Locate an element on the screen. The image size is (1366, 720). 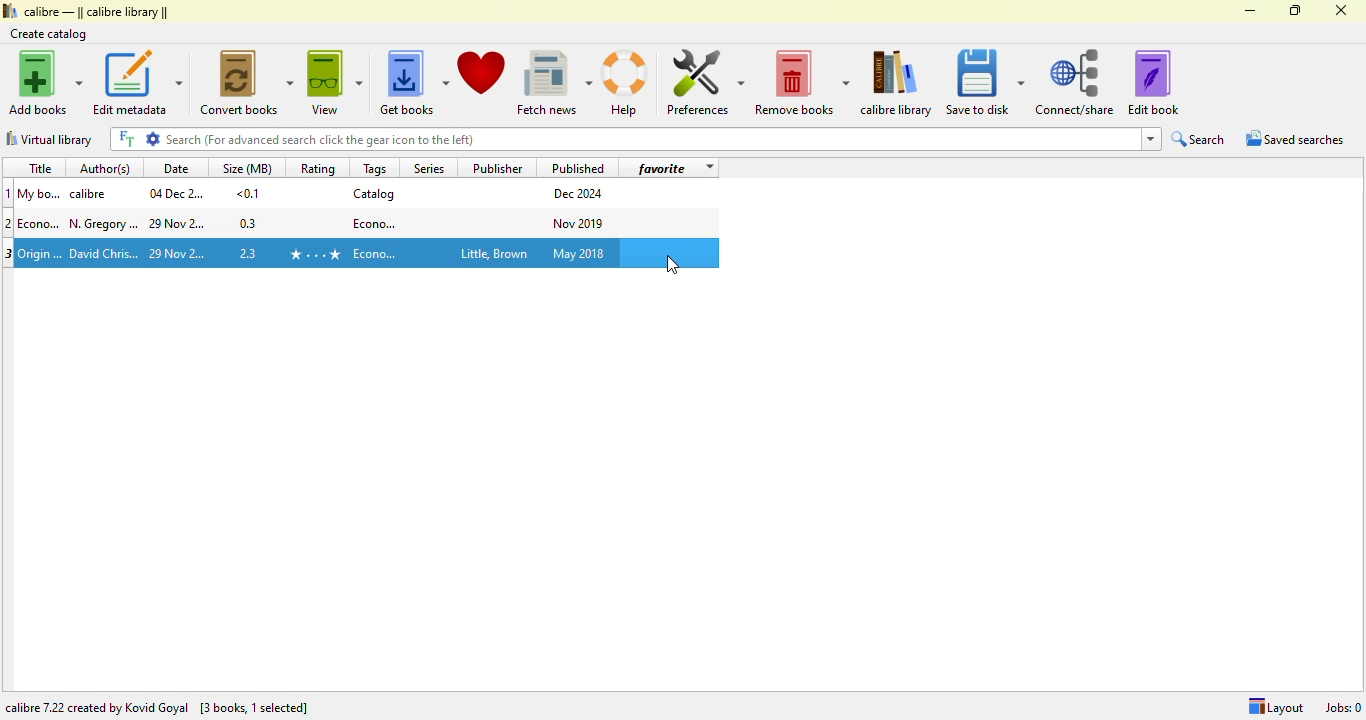
cursor is located at coordinates (672, 265).